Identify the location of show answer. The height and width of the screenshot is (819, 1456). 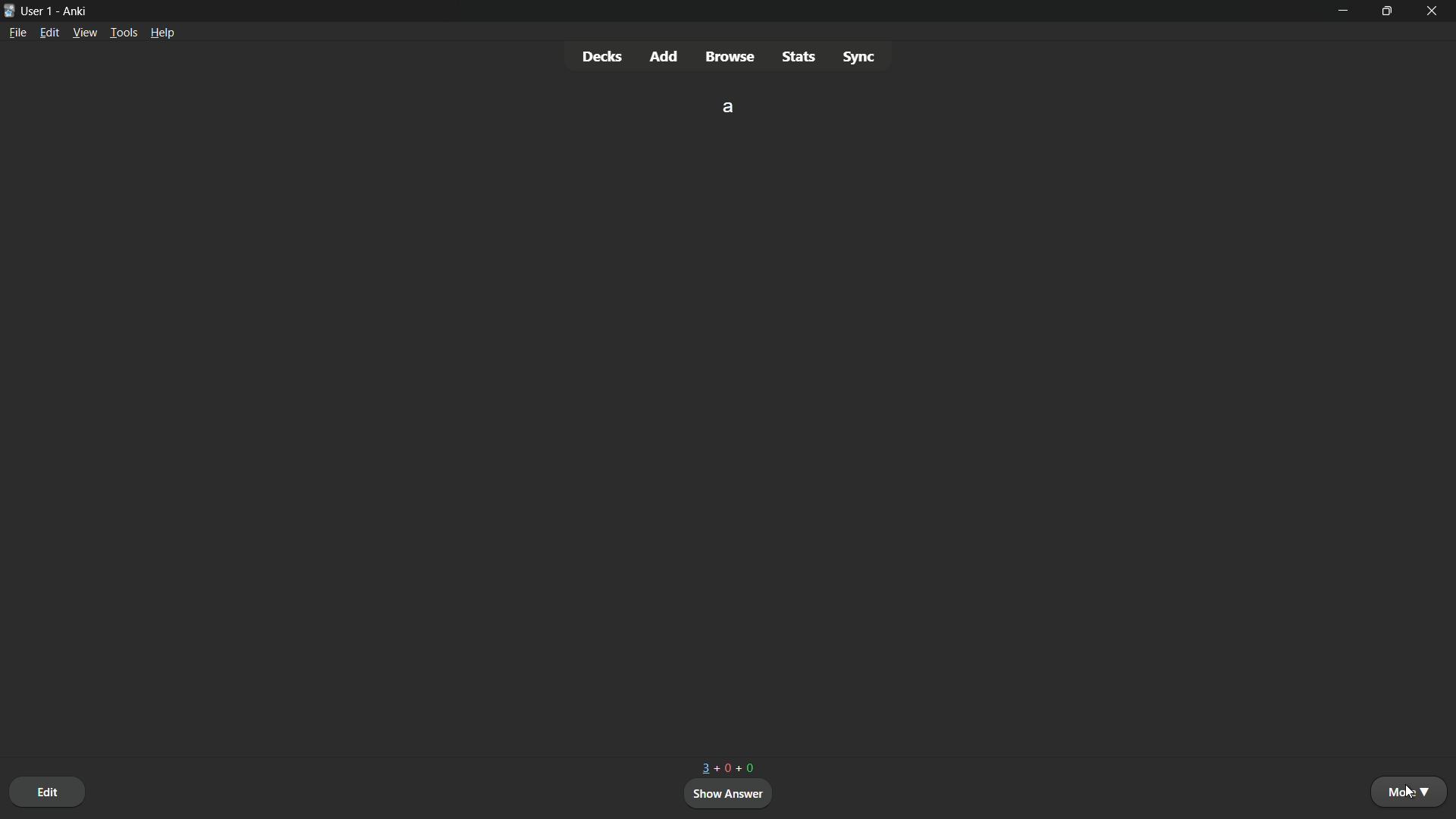
(730, 794).